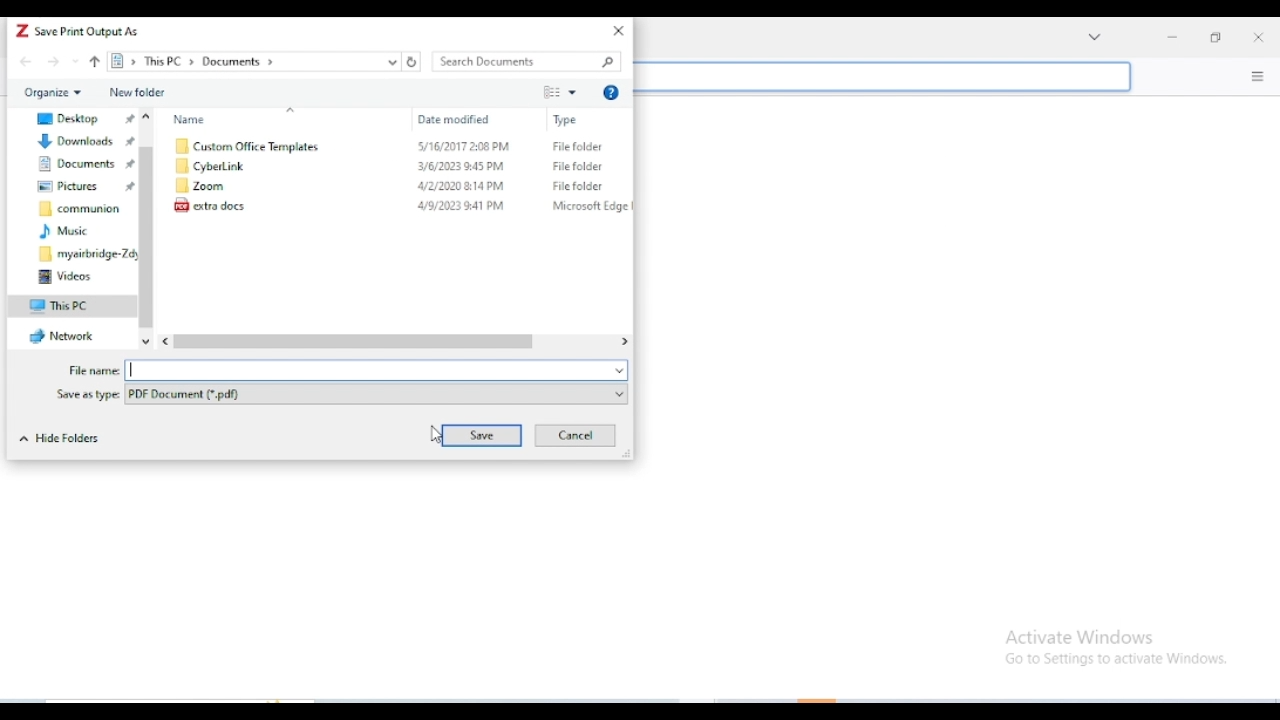  What do you see at coordinates (86, 253) in the screenshot?
I see `myairbridge-Zdy` at bounding box center [86, 253].